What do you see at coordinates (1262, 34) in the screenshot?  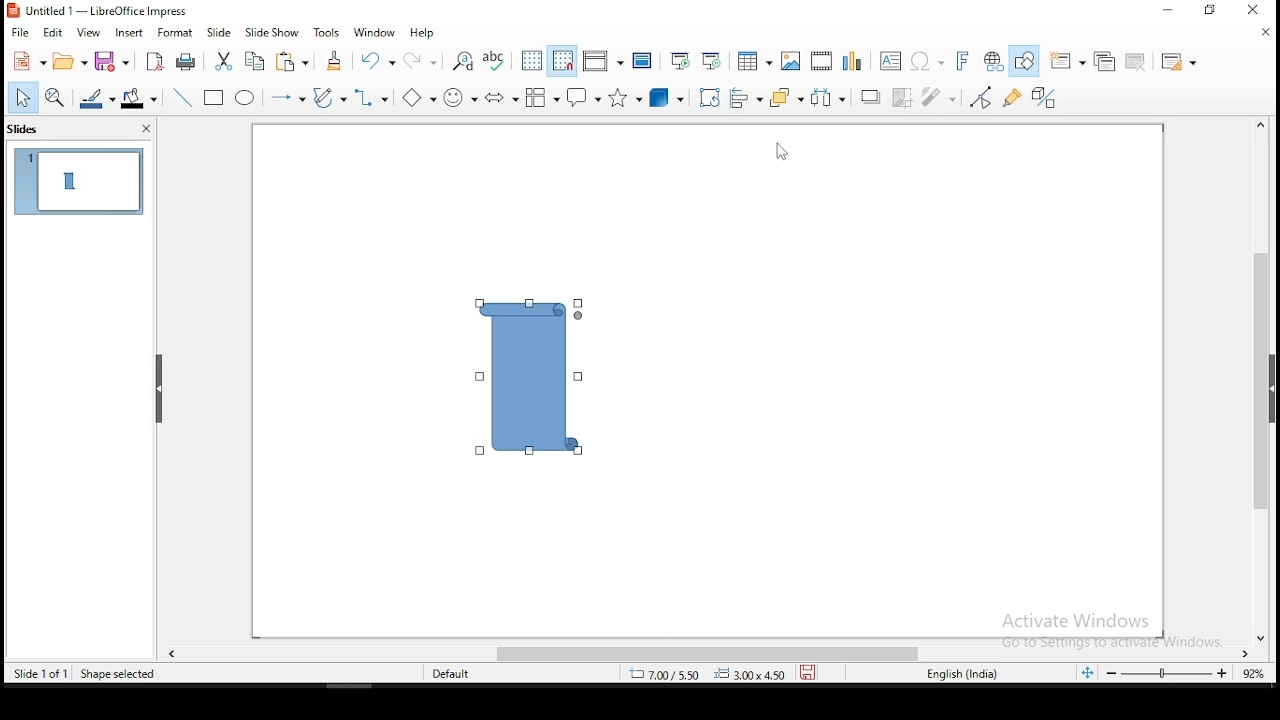 I see `close` at bounding box center [1262, 34].